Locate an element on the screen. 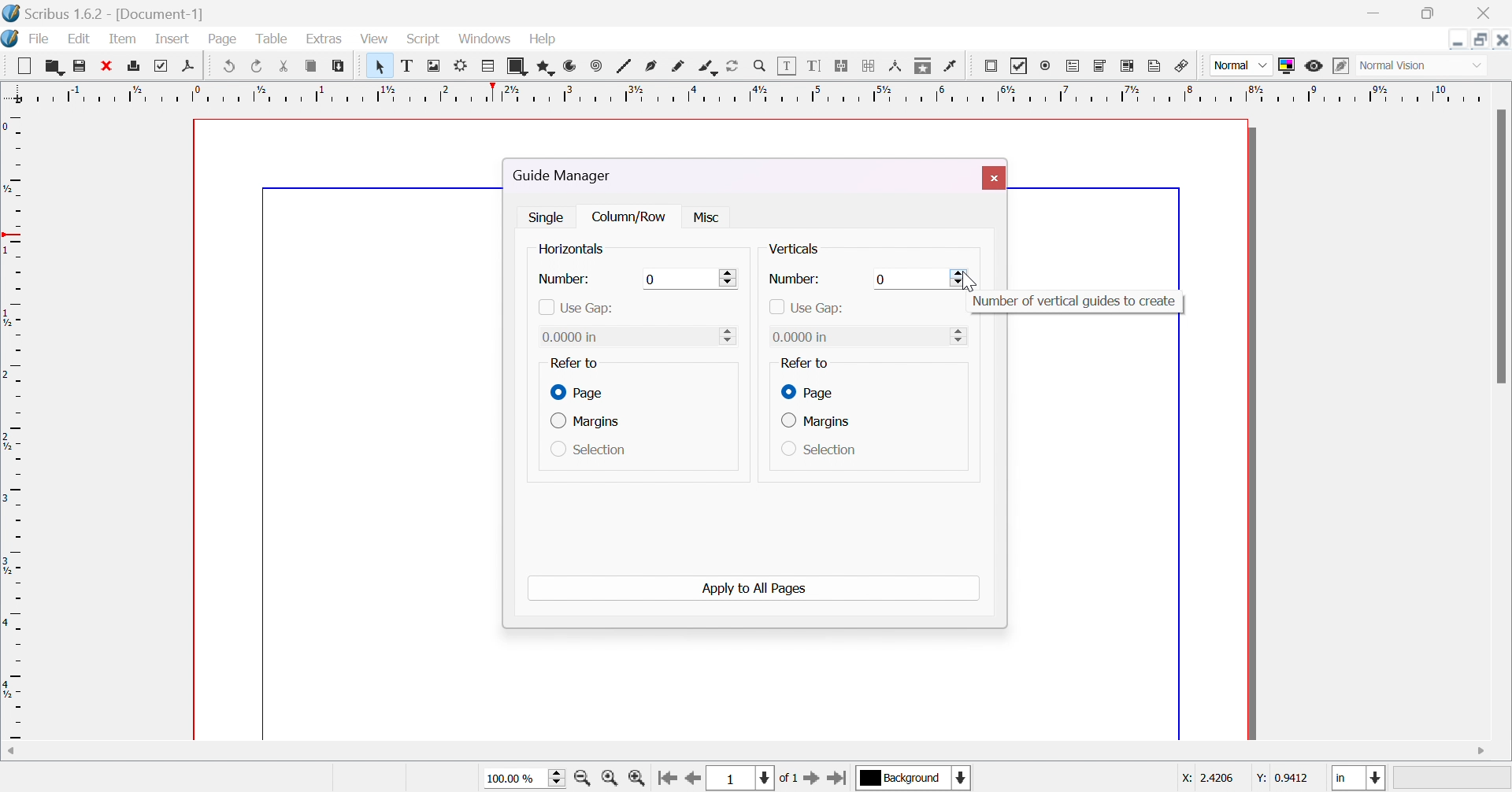  link annotation is located at coordinates (1184, 67).